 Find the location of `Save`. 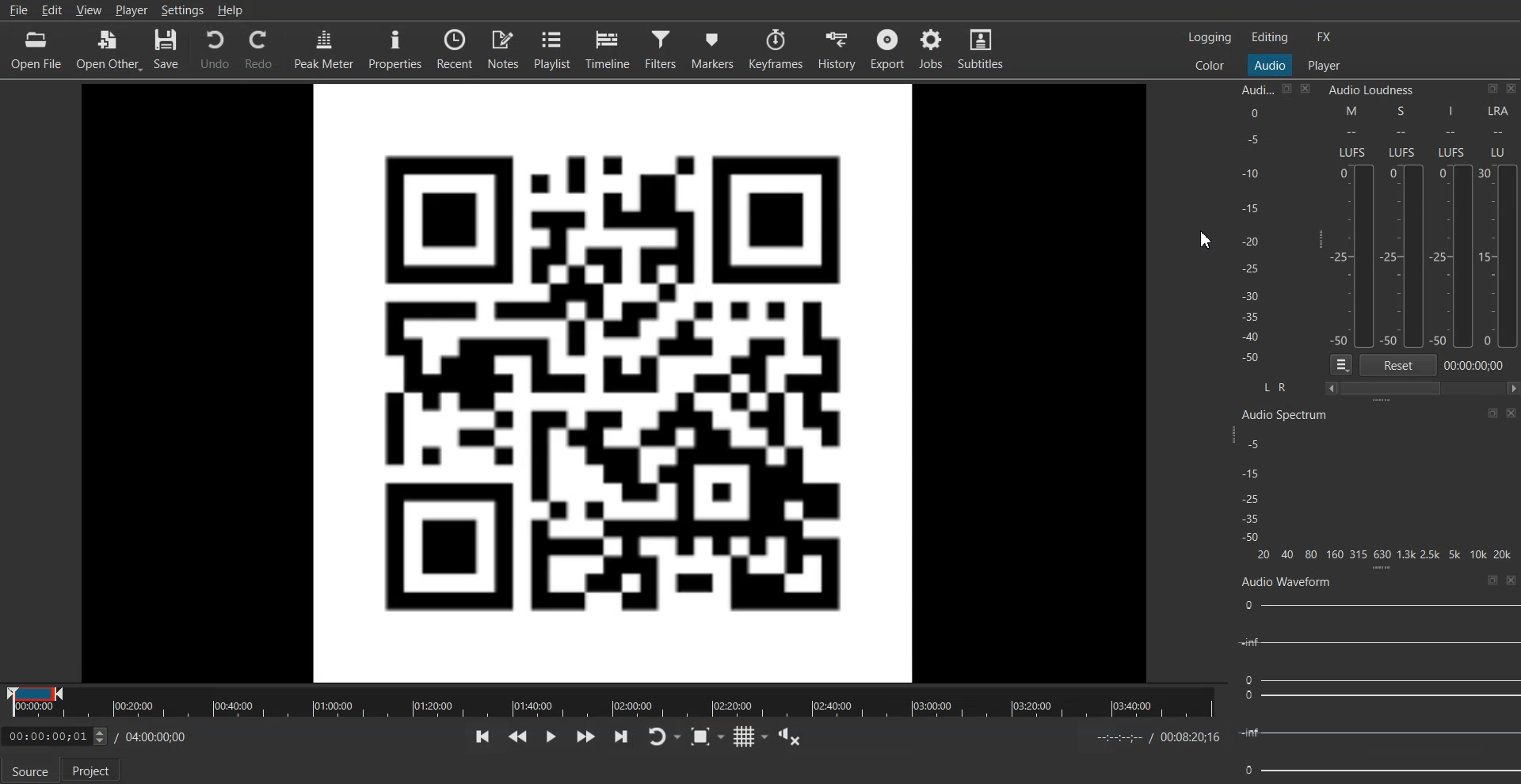

Save is located at coordinates (169, 50).